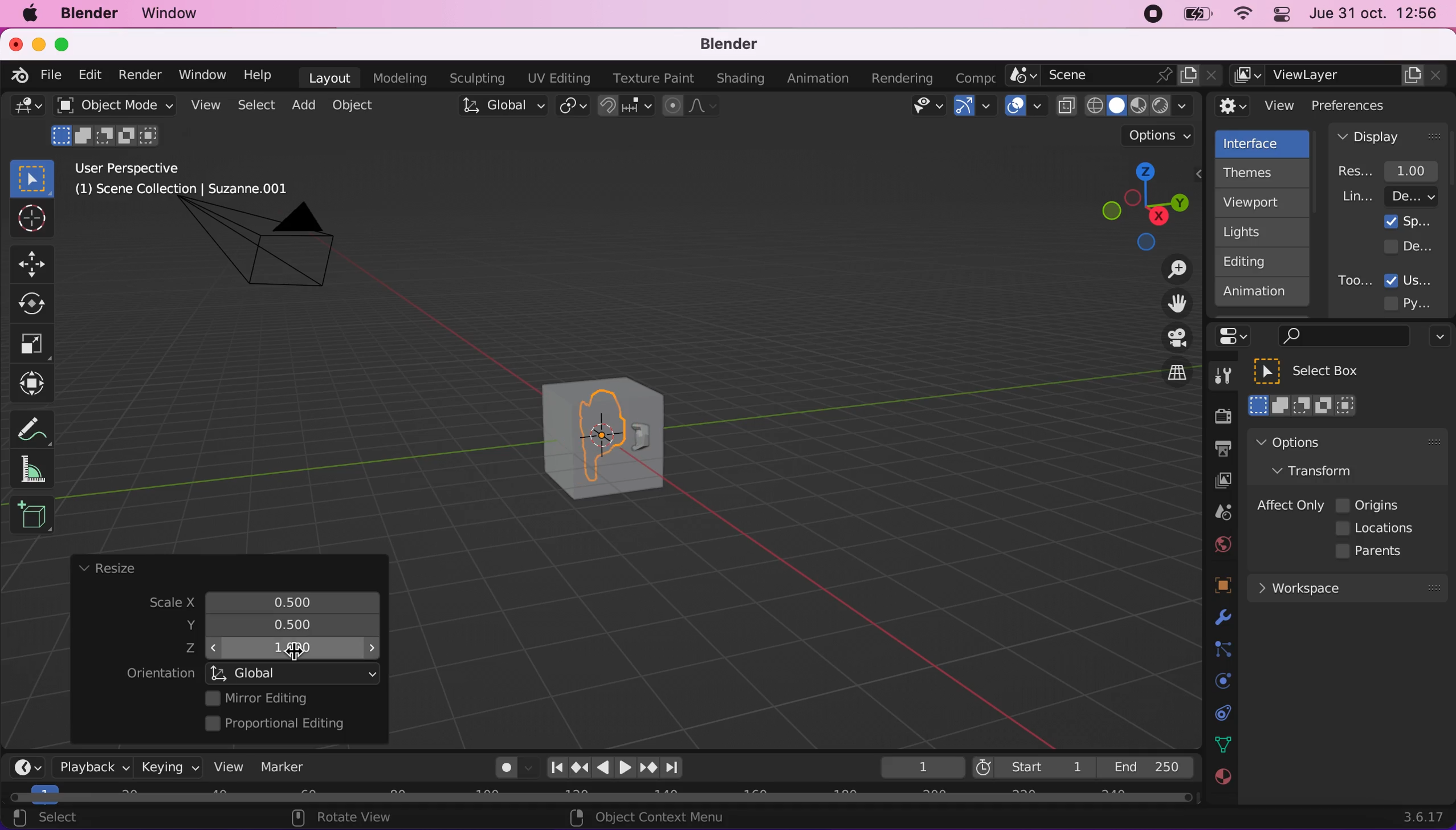 This screenshot has width=1456, height=830. Describe the element at coordinates (1261, 173) in the screenshot. I see `themes` at that location.